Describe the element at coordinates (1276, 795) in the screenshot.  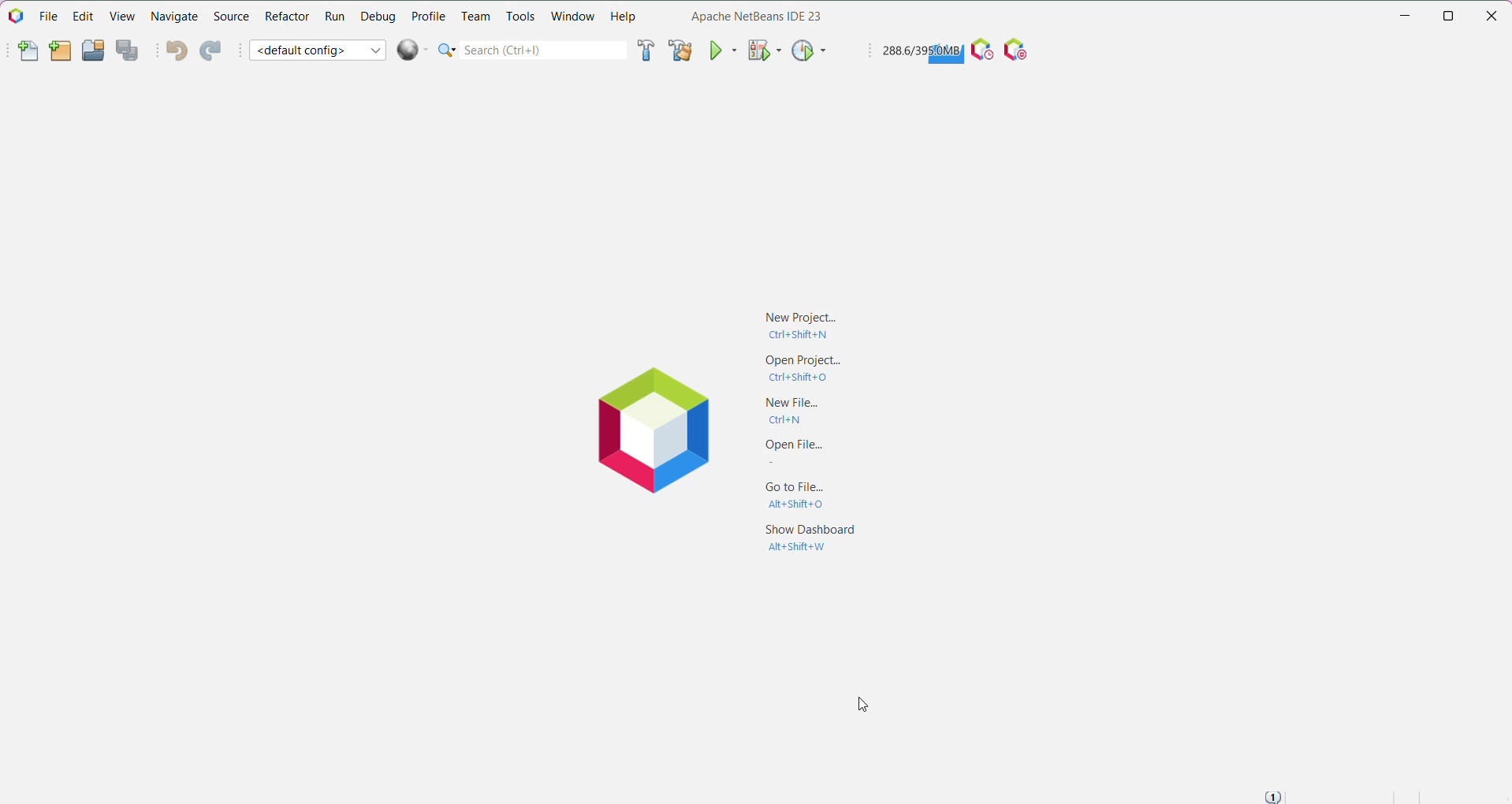
I see `Notifications` at that location.